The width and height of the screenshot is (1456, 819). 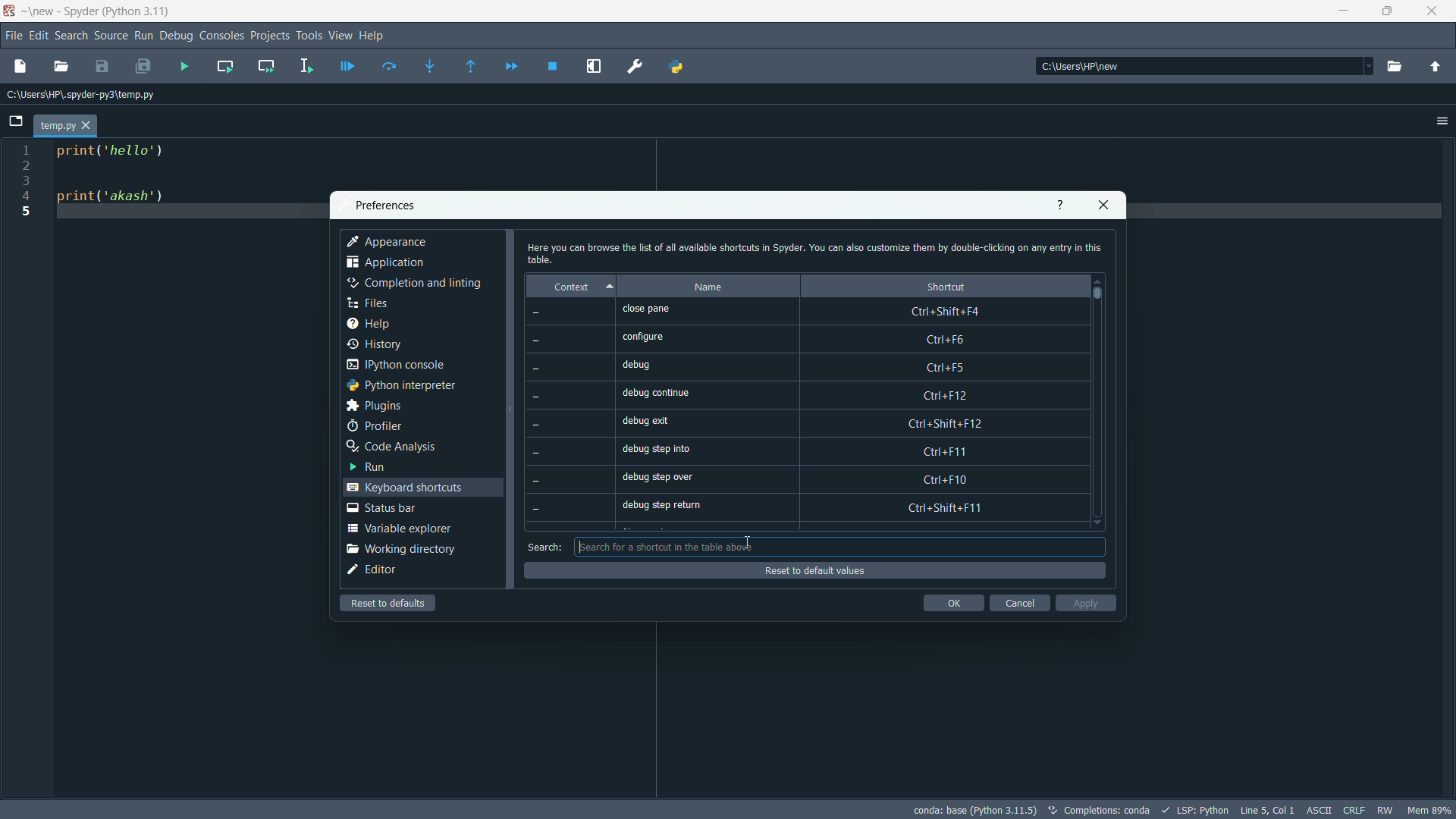 What do you see at coordinates (17, 121) in the screenshot?
I see `browse tabs` at bounding box center [17, 121].